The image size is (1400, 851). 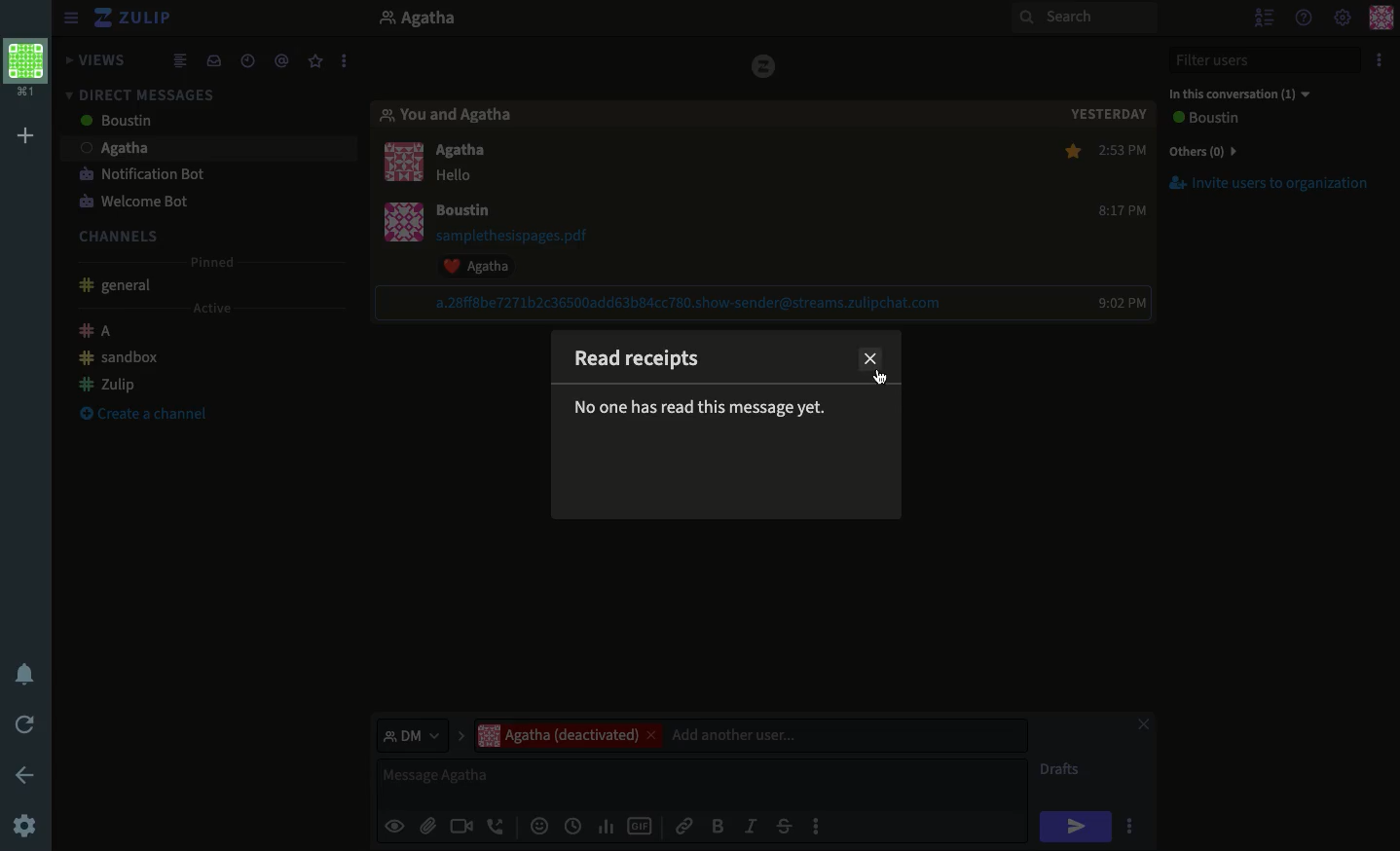 What do you see at coordinates (1062, 771) in the screenshot?
I see `Drafts` at bounding box center [1062, 771].